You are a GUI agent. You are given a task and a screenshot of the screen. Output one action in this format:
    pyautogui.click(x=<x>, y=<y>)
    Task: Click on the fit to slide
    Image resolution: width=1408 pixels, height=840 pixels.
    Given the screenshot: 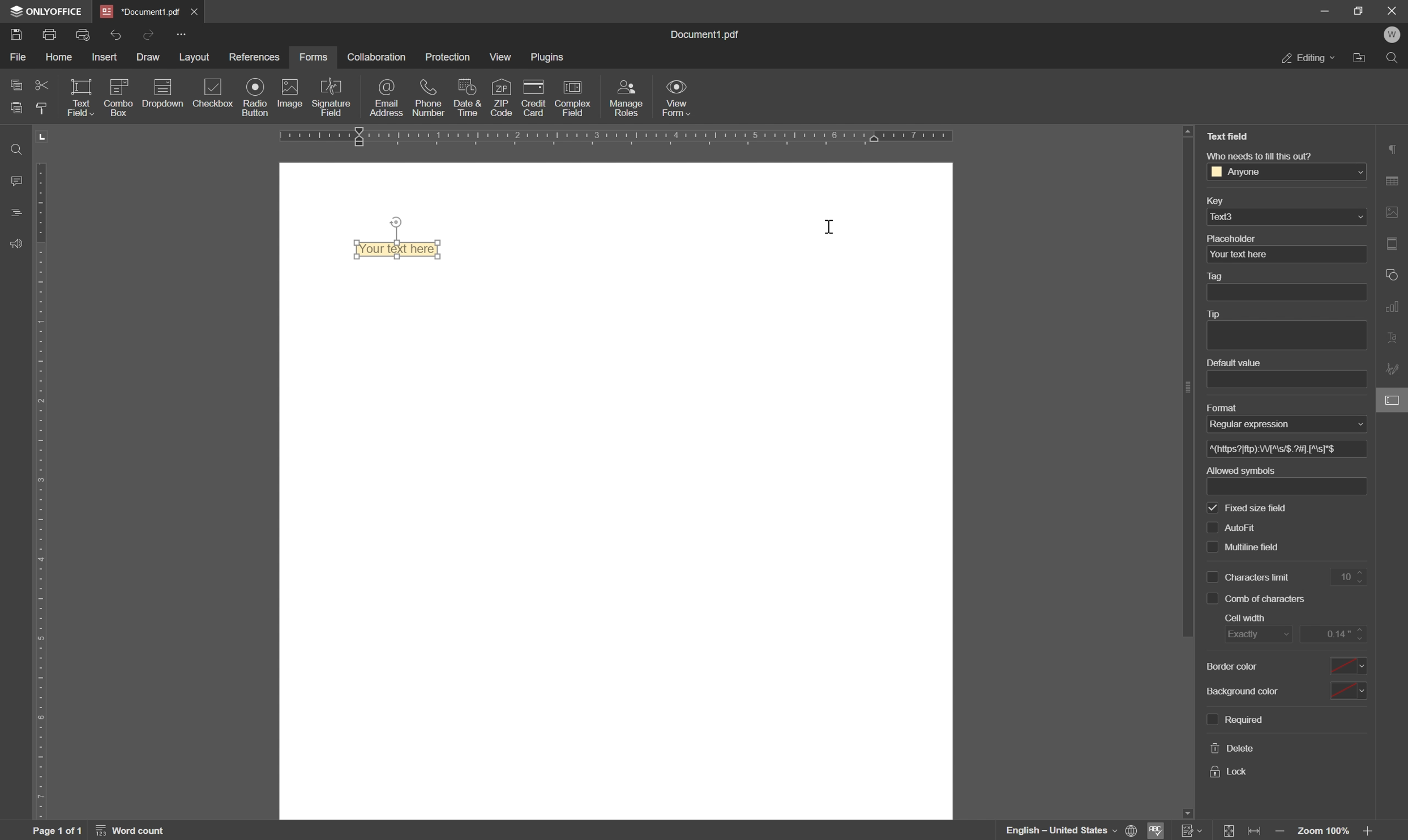 What is the action you would take?
    pyautogui.click(x=1230, y=831)
    